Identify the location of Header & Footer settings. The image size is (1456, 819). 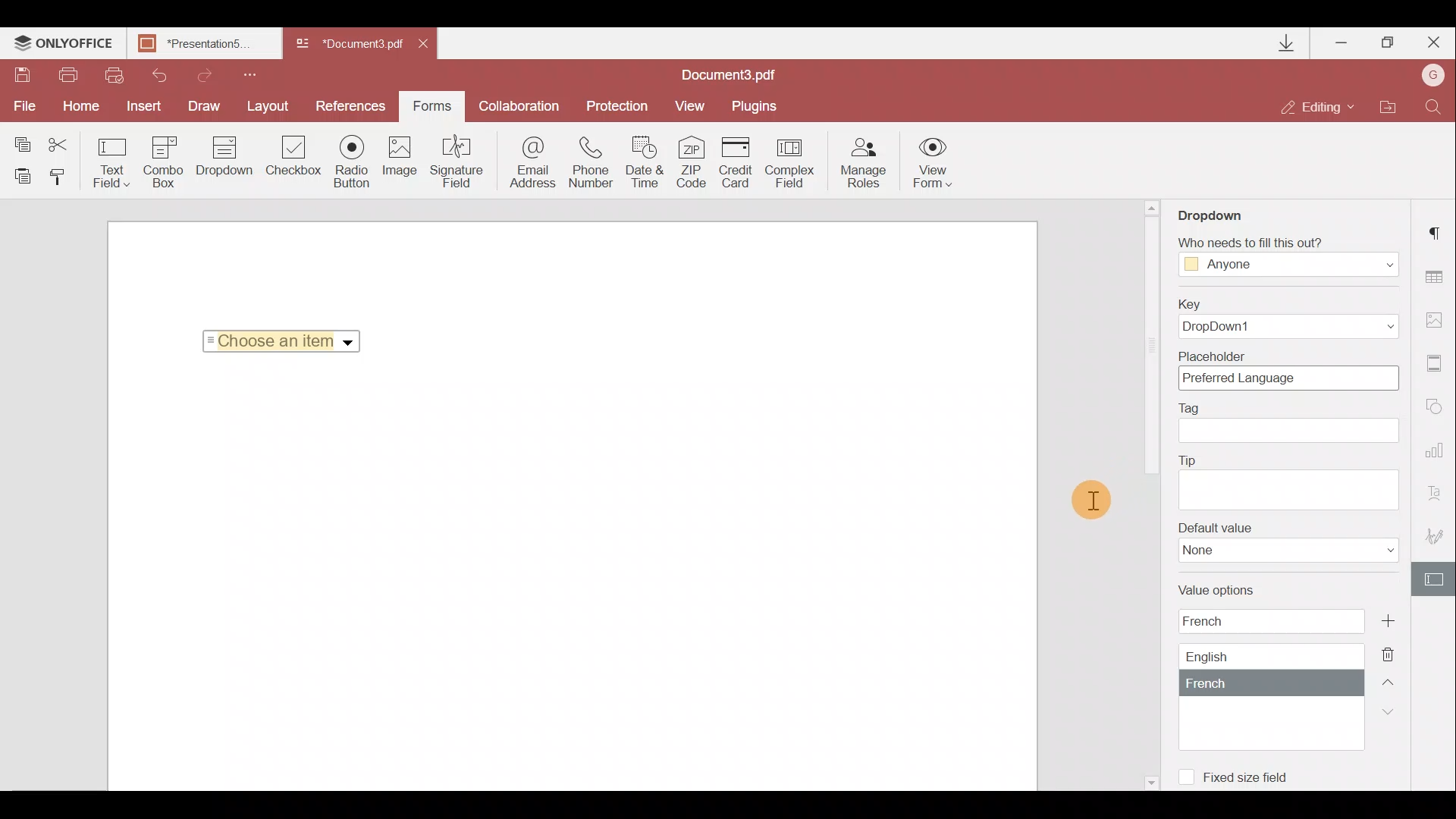
(1438, 366).